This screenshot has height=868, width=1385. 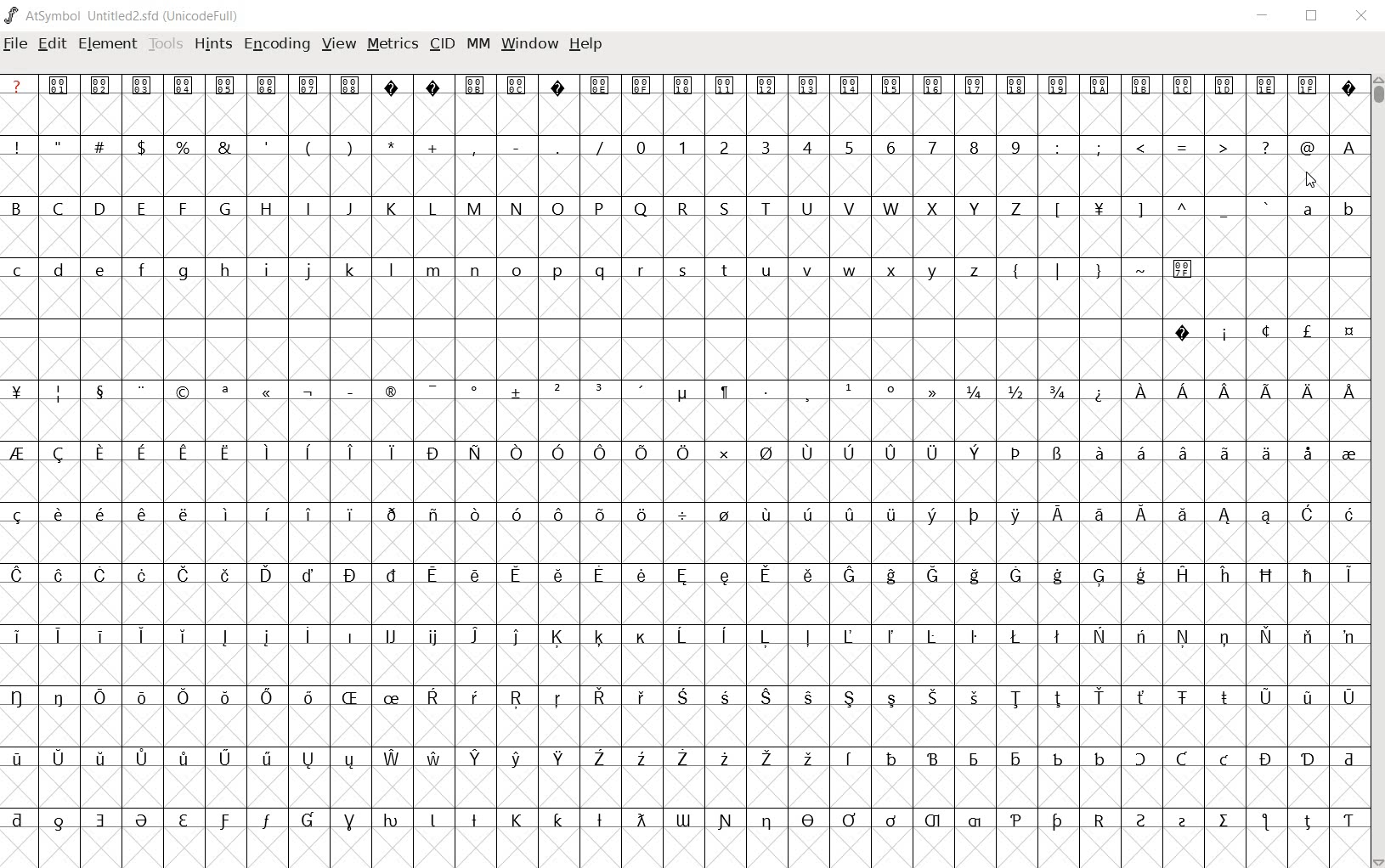 I want to click on MM, so click(x=478, y=43).